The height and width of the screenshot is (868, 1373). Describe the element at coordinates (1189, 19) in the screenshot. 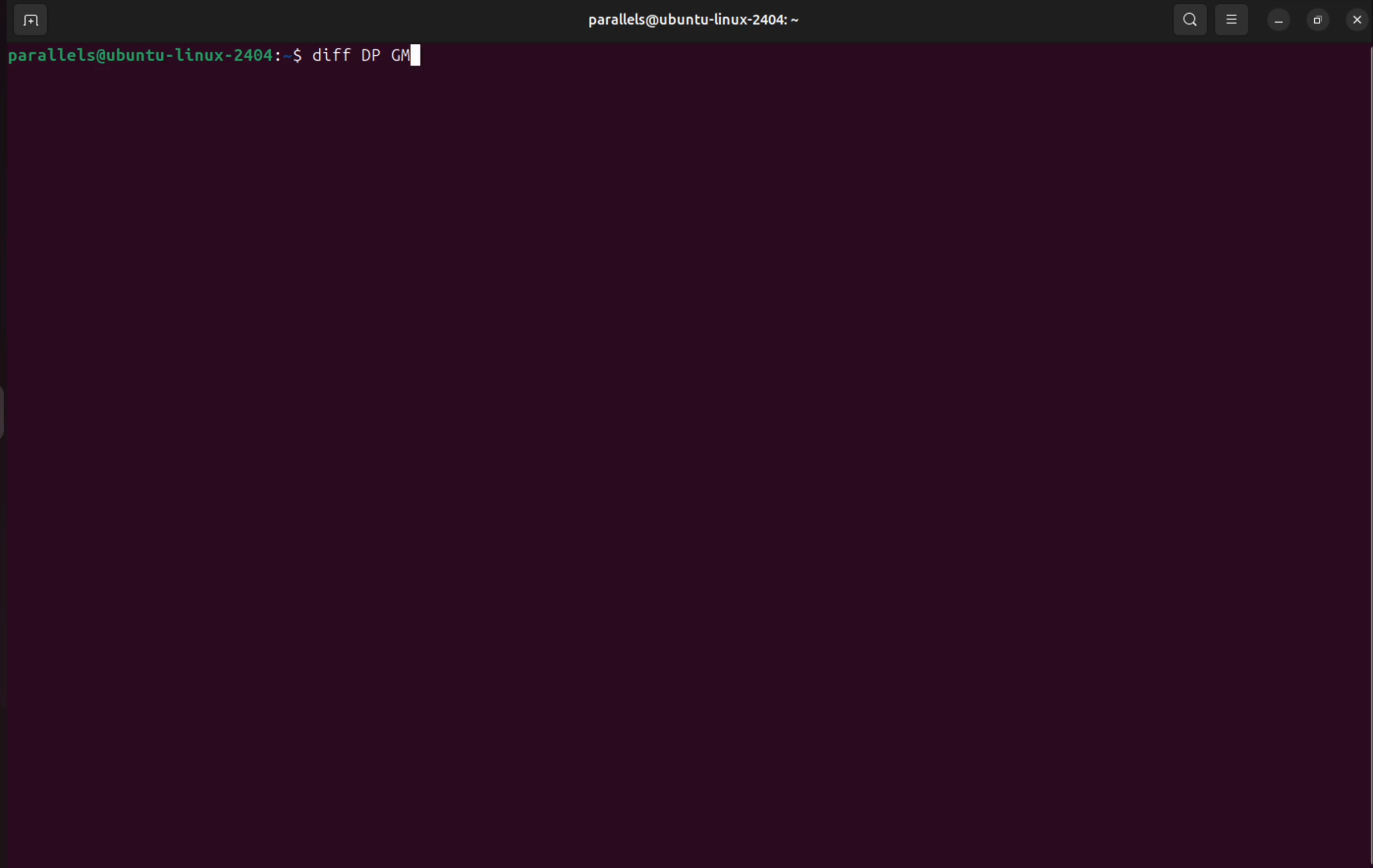

I see `search` at that location.